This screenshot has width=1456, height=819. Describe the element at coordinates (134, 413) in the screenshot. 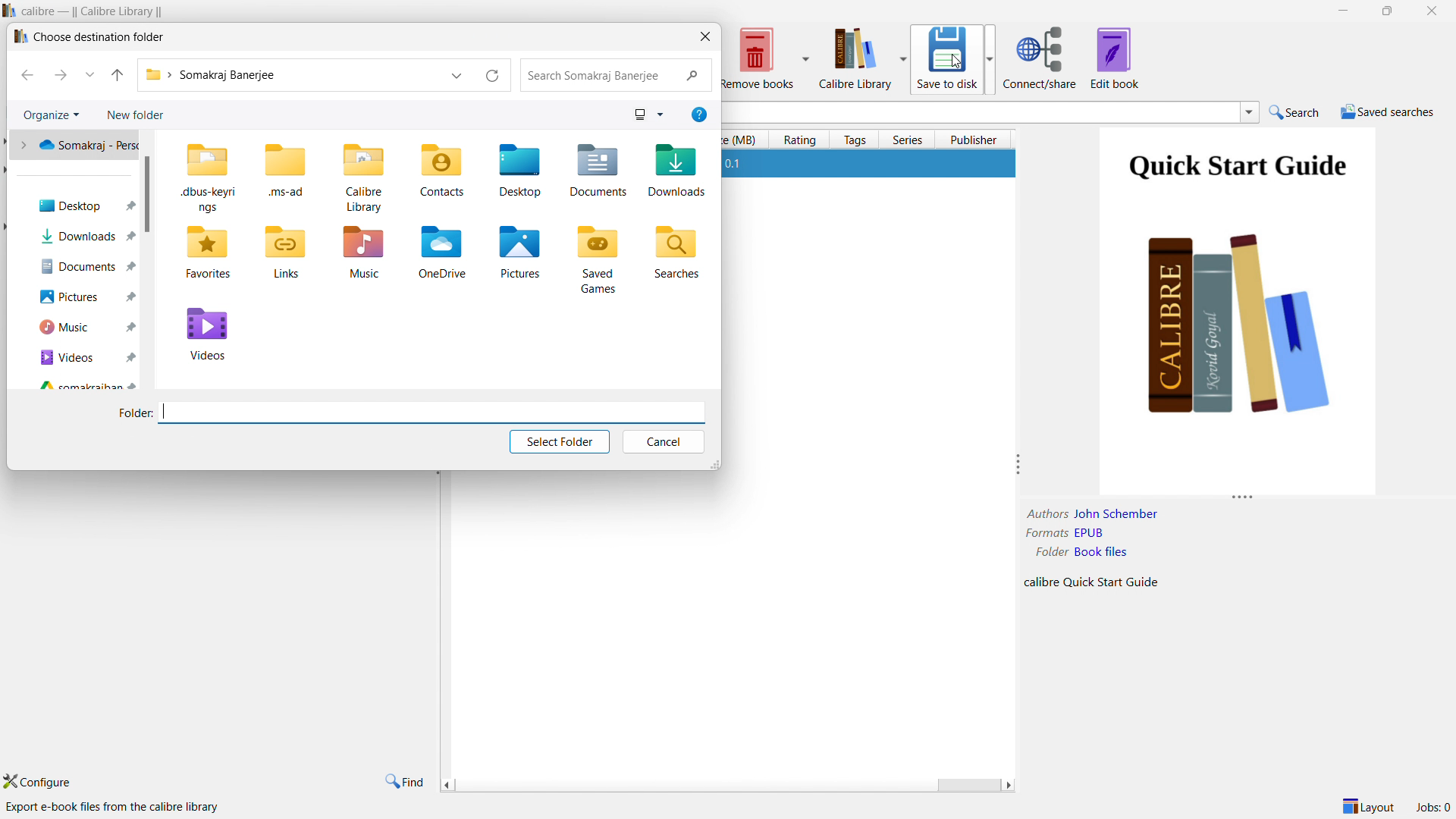

I see `Folder` at that location.